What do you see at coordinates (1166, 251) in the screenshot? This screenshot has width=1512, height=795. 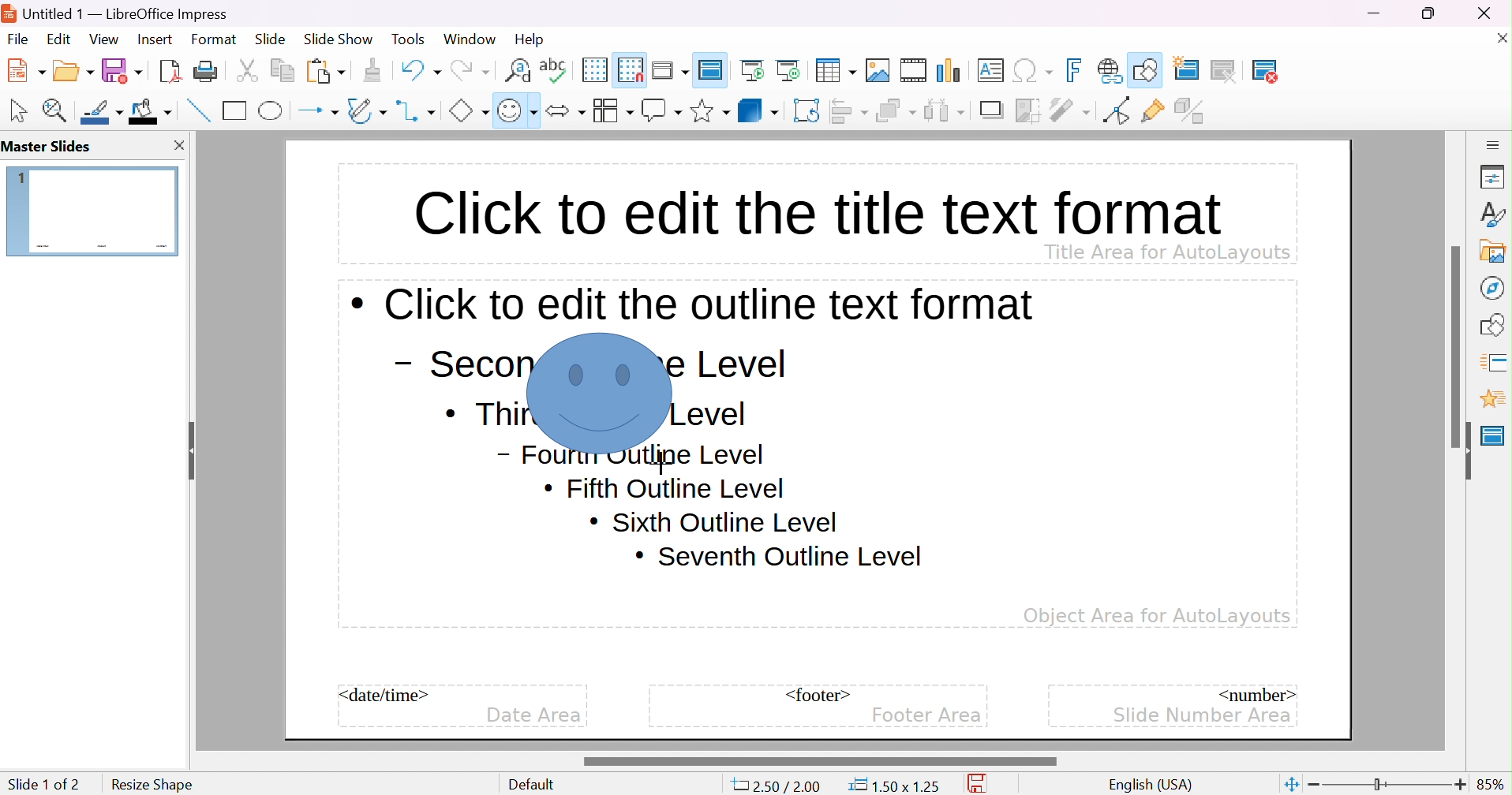 I see `title area for autolayouts` at bounding box center [1166, 251].